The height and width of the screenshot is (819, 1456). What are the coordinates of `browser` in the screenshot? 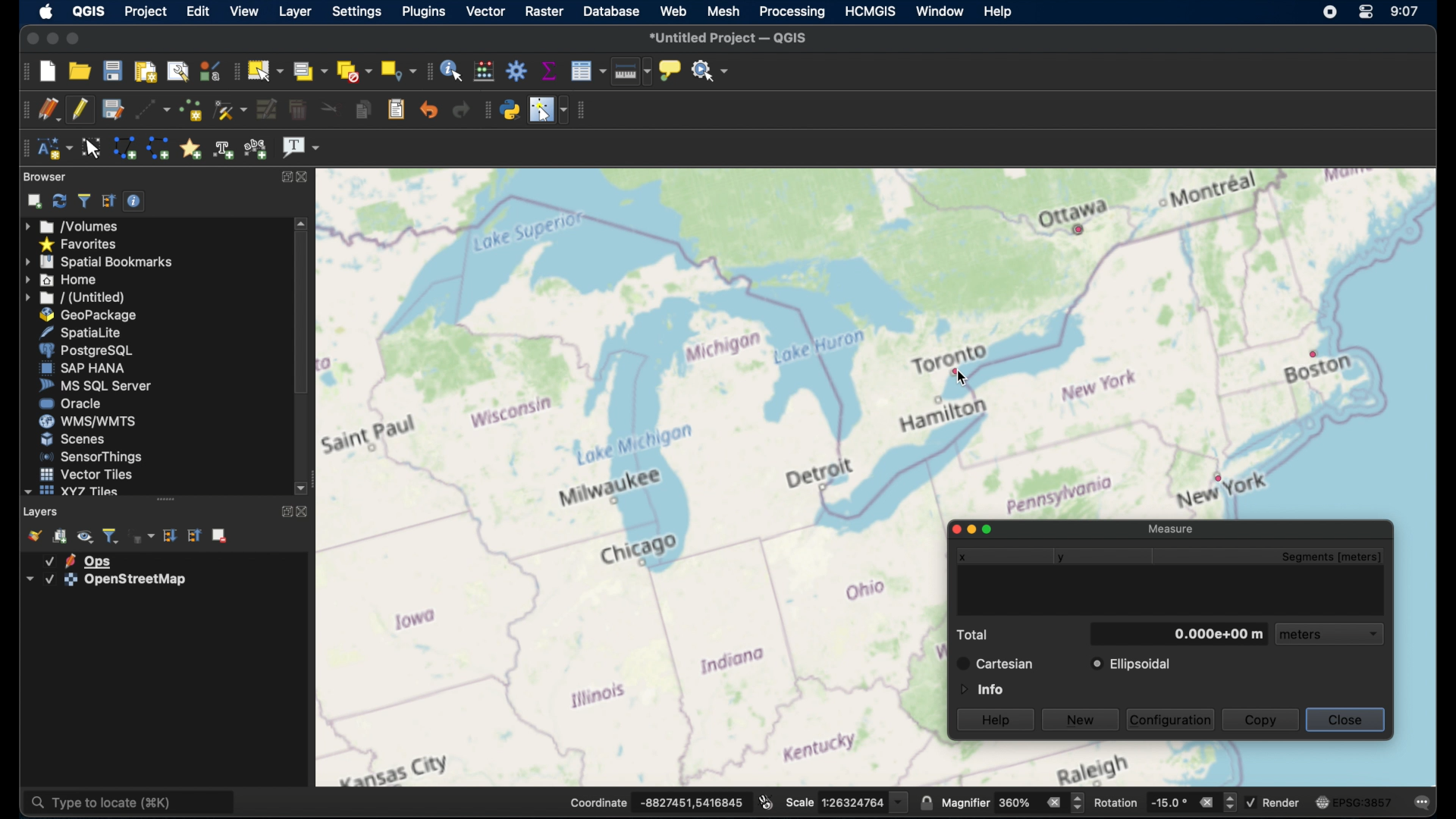 It's located at (46, 177).